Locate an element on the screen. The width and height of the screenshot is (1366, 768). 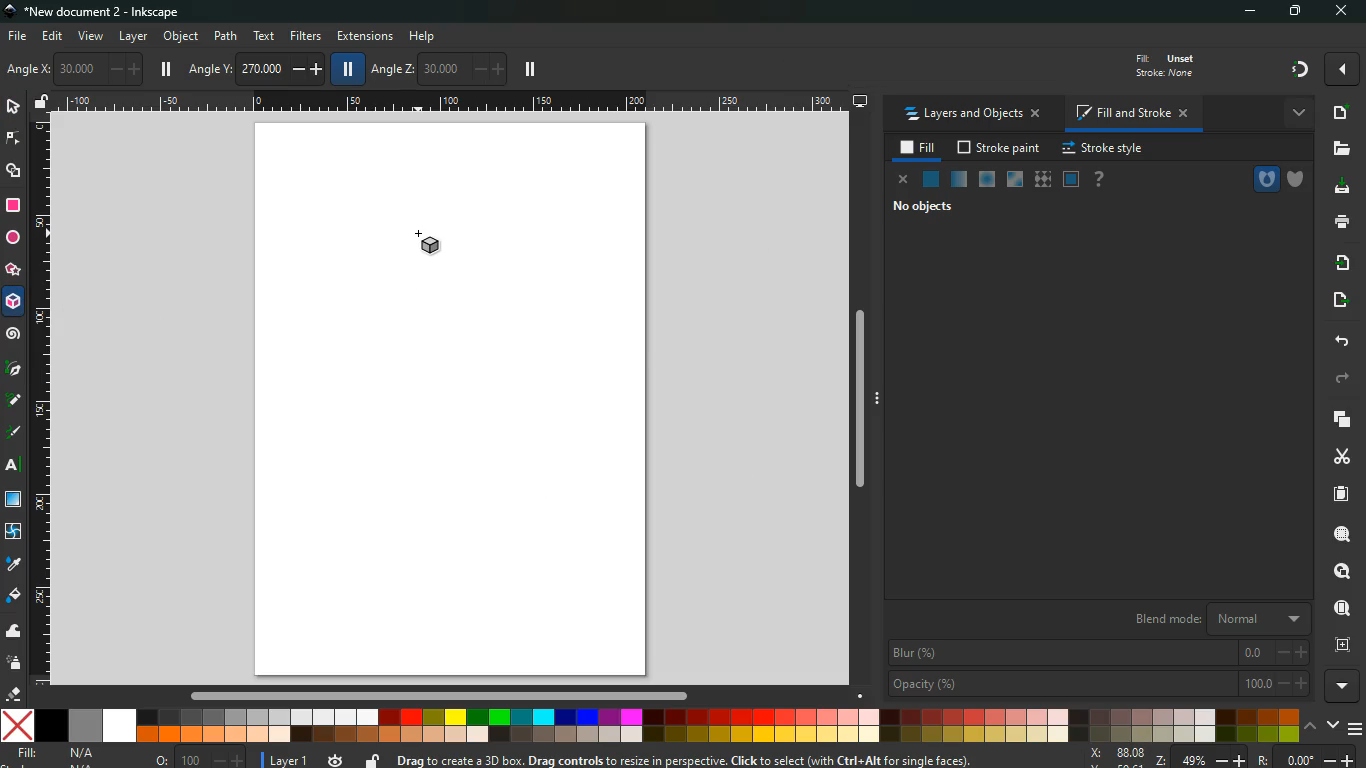
angle y is located at coordinates (258, 66).